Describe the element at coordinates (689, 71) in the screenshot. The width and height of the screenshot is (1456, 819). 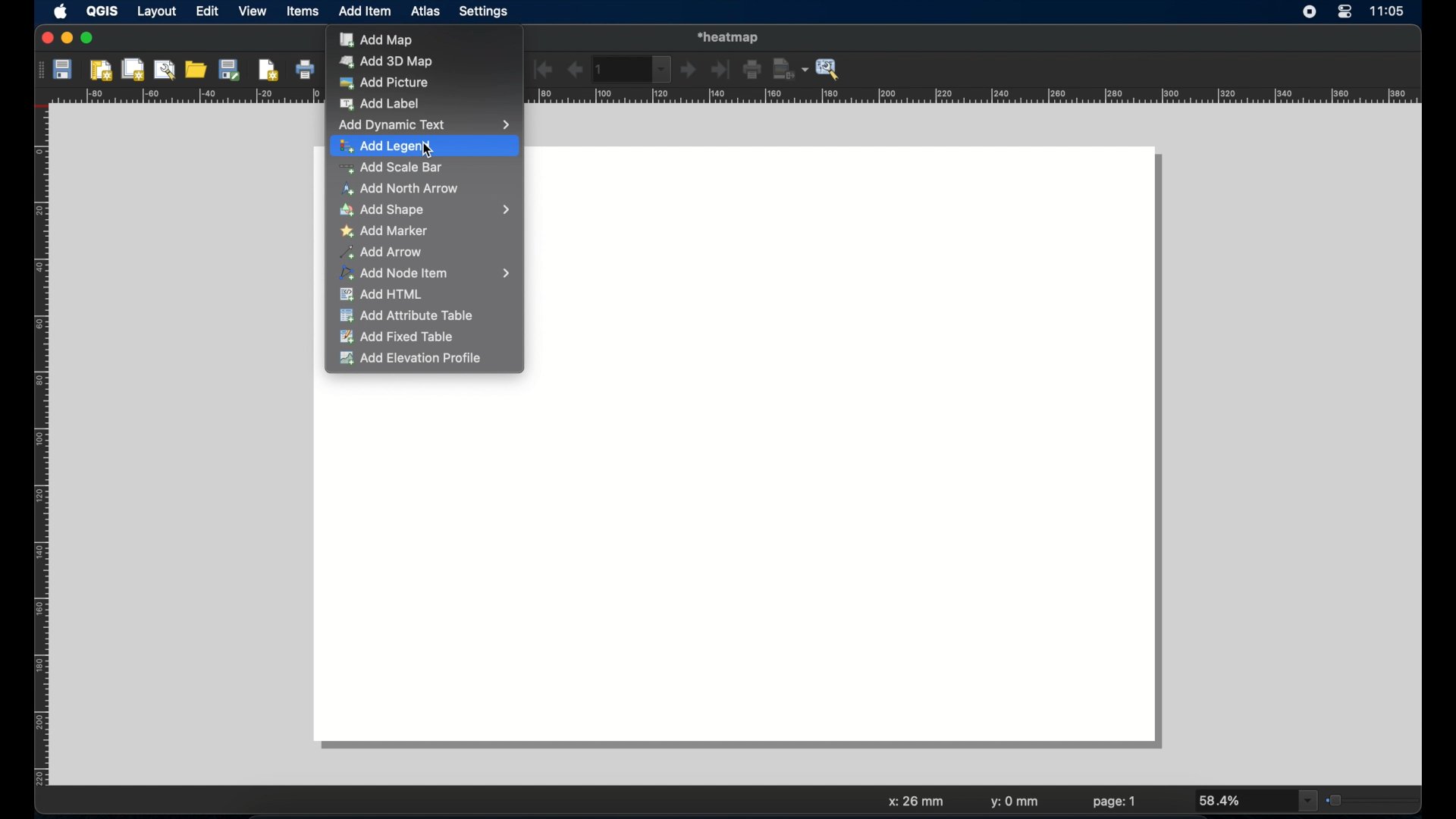
I see `next feature` at that location.